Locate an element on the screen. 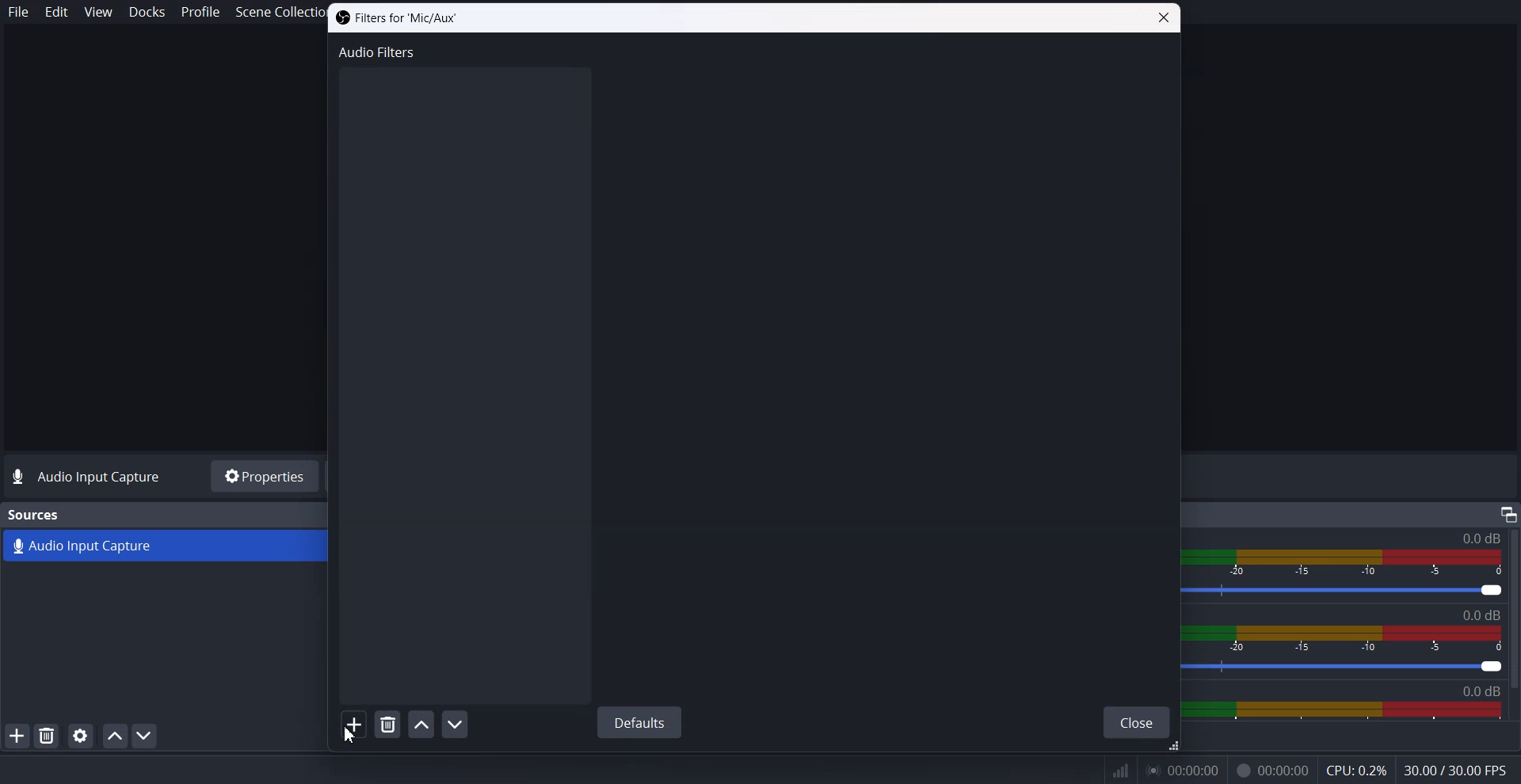  CPU: 0.3% is located at coordinates (1355, 772).